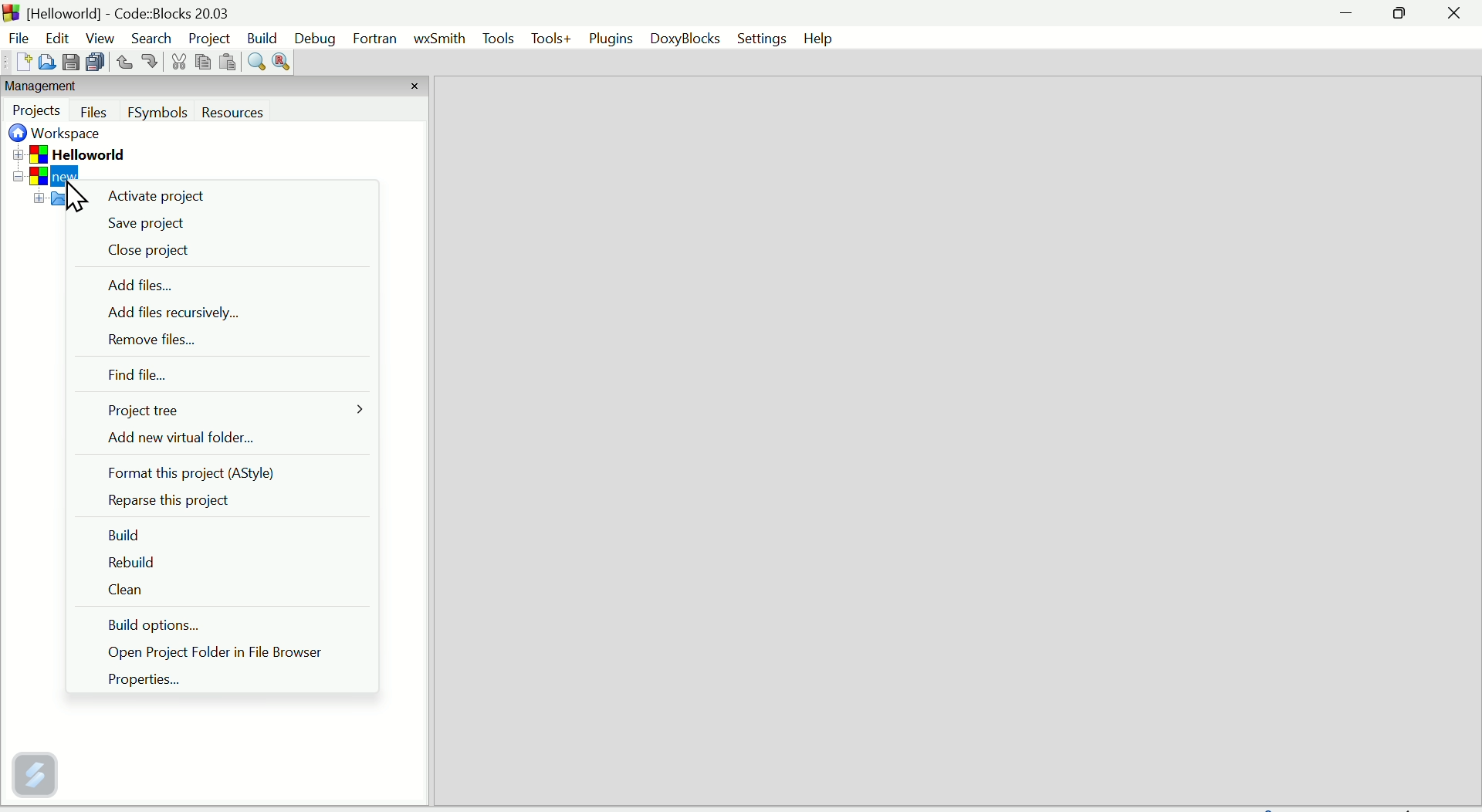 The image size is (1482, 812). What do you see at coordinates (71, 87) in the screenshot?
I see `Management` at bounding box center [71, 87].